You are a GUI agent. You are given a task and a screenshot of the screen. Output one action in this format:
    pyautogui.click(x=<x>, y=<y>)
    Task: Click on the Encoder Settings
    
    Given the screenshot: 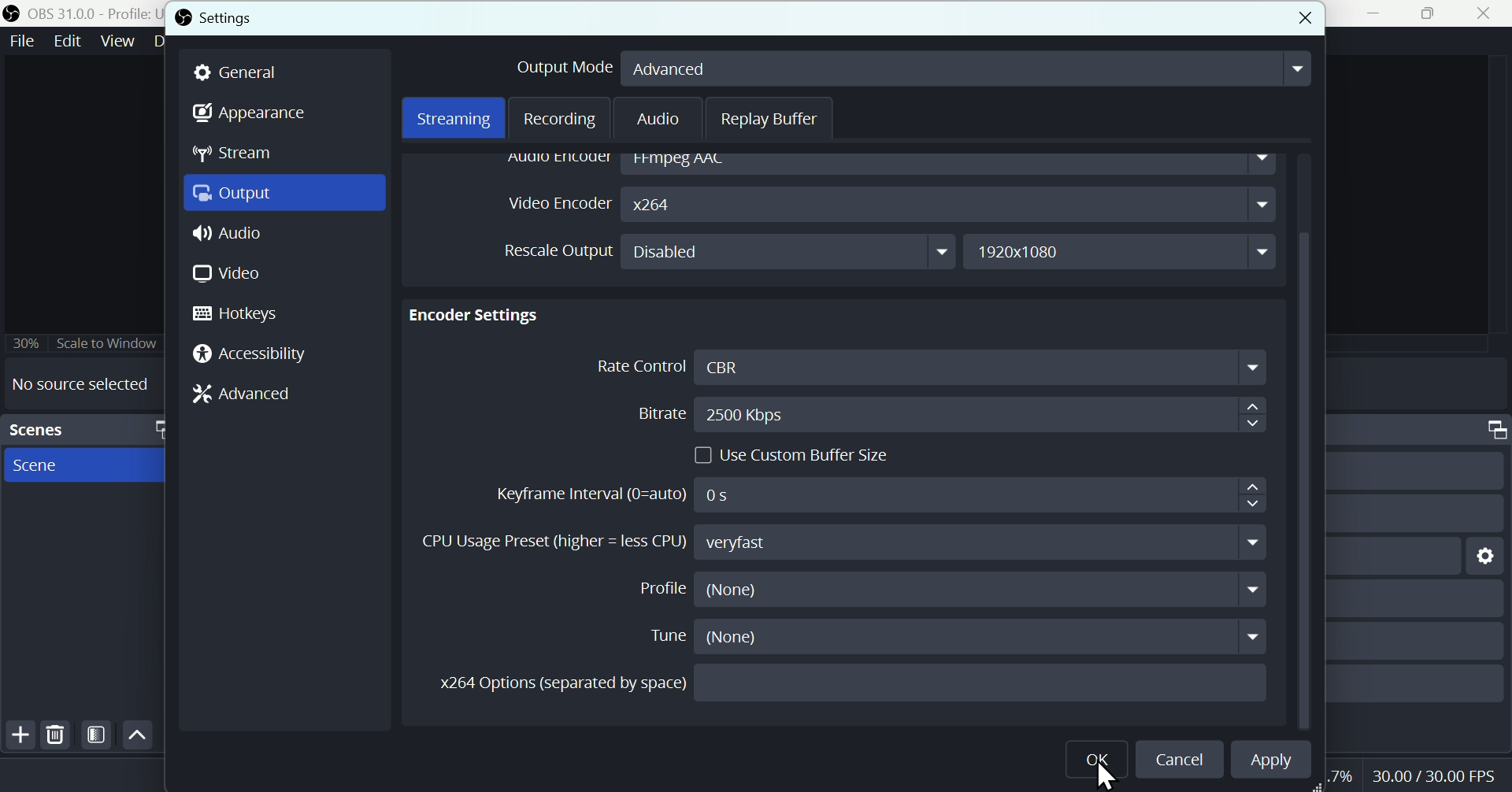 What is the action you would take?
    pyautogui.click(x=480, y=315)
    